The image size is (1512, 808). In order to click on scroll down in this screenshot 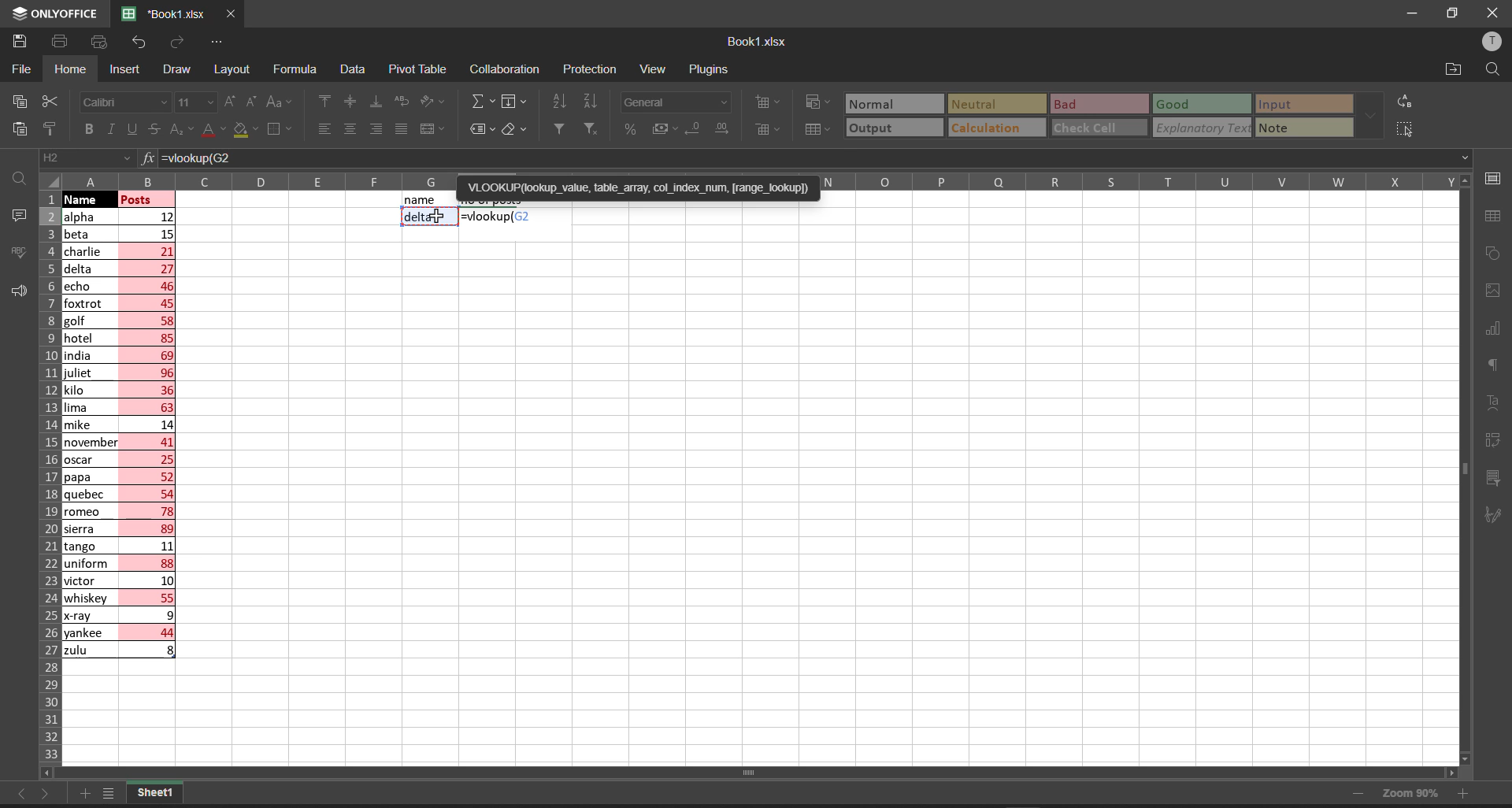, I will do `click(1468, 758)`.